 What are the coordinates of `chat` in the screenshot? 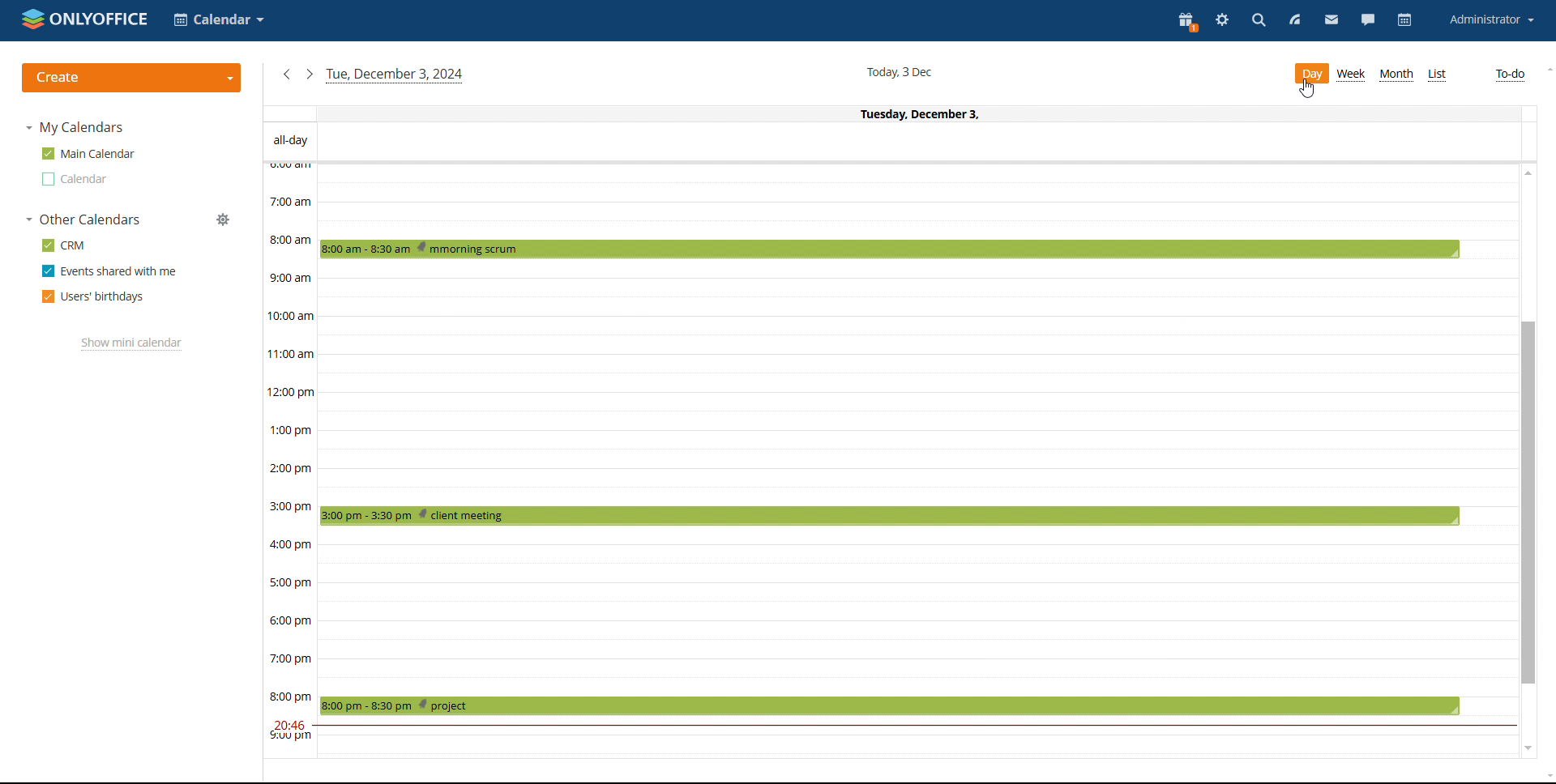 It's located at (1368, 19).